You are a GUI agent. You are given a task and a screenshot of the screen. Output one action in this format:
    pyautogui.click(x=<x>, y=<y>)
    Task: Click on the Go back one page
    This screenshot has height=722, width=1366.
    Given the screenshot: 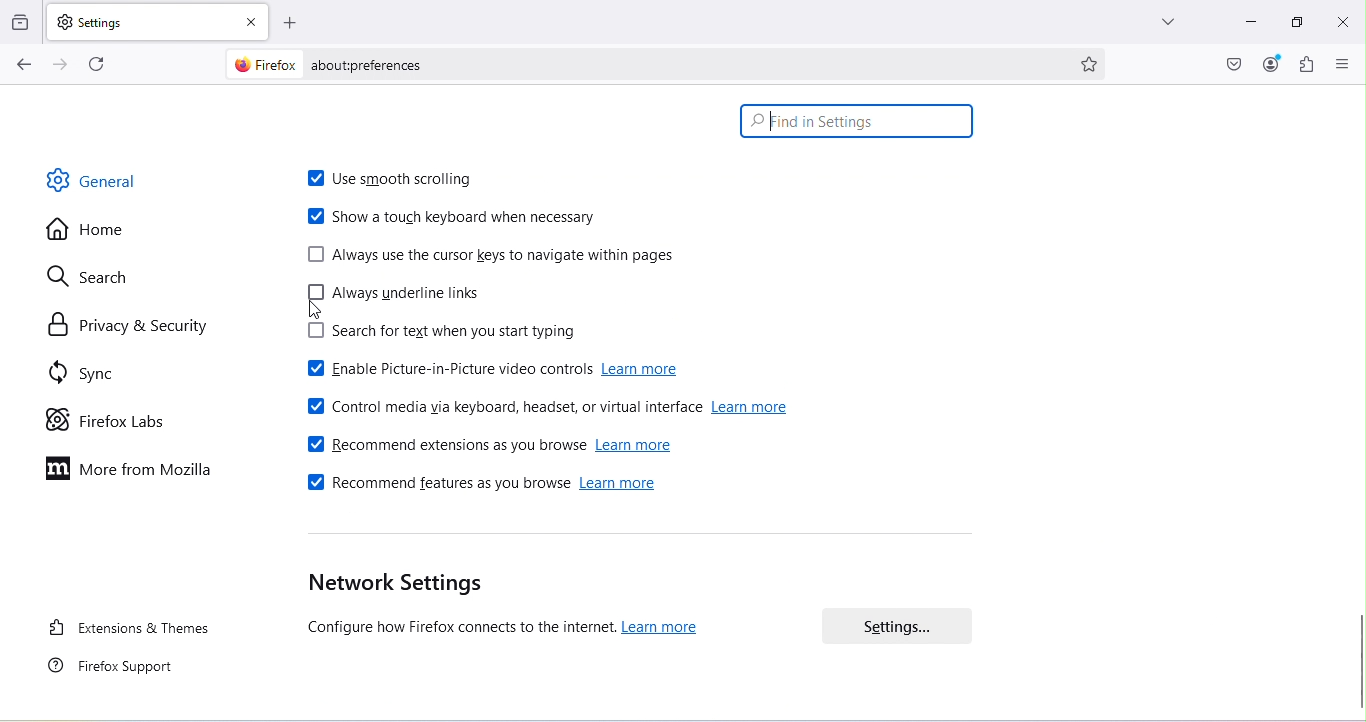 What is the action you would take?
    pyautogui.click(x=22, y=66)
    